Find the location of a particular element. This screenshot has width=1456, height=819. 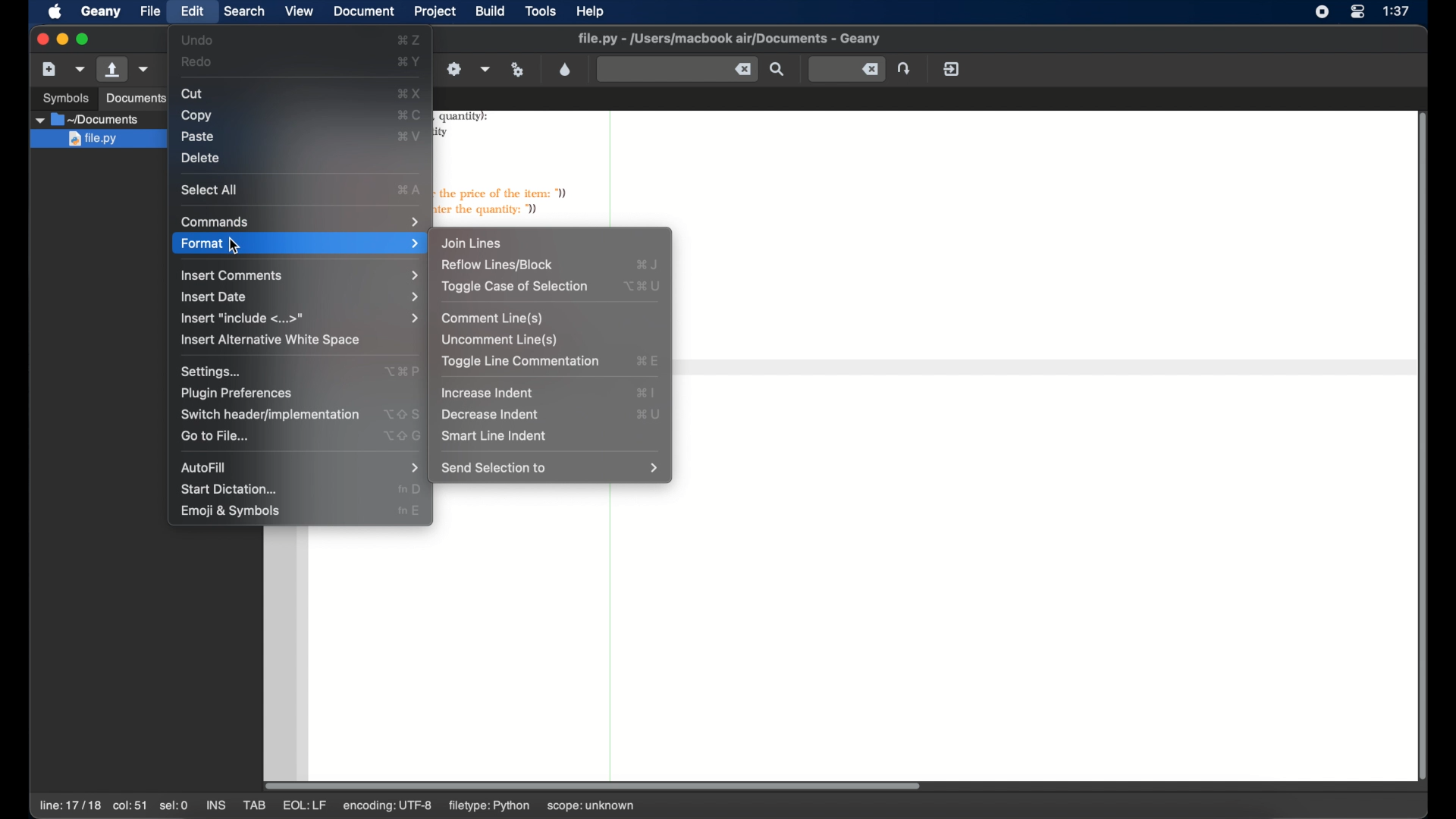

jump to the entered line number is located at coordinates (846, 68).